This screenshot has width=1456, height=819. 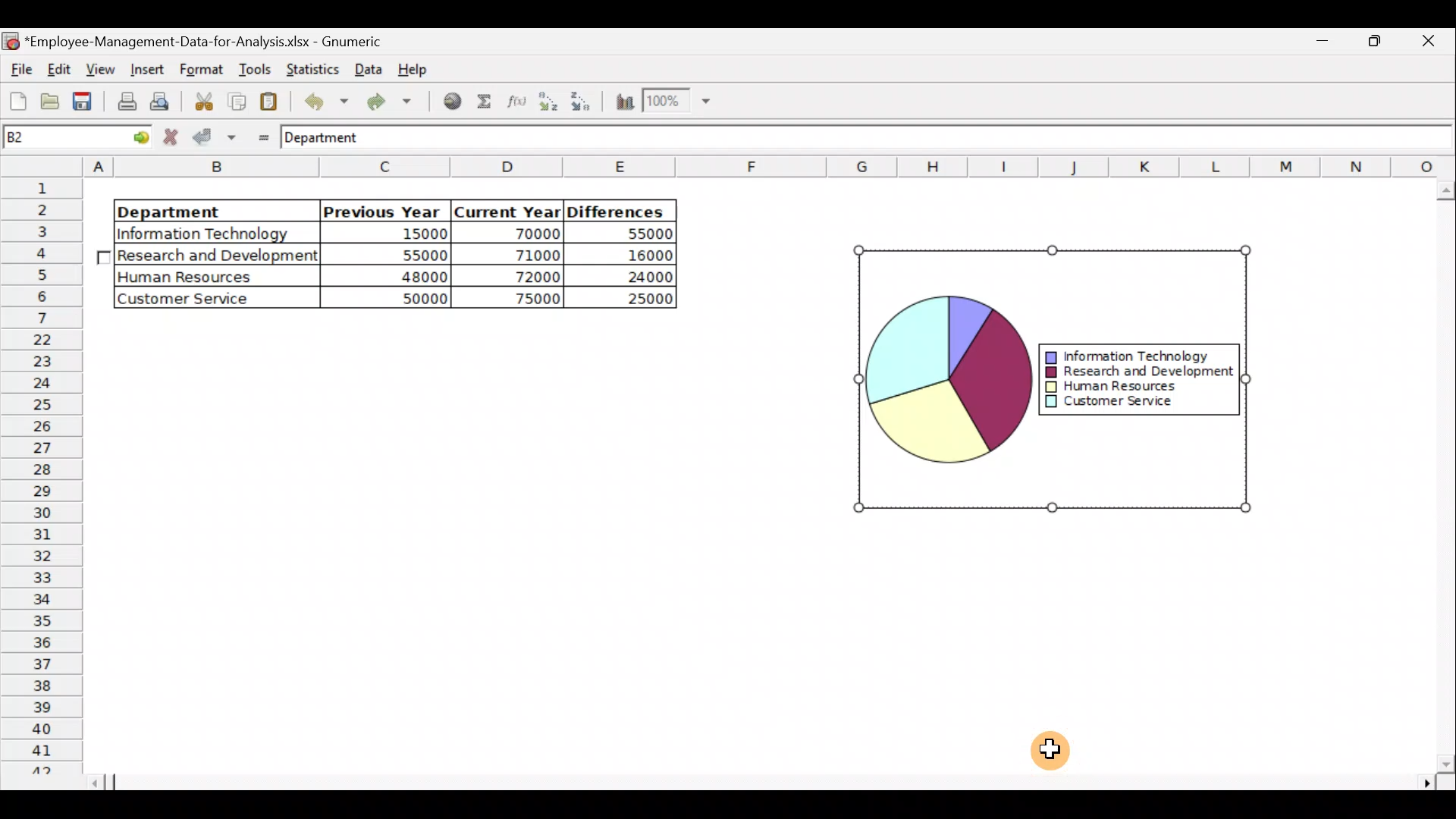 What do you see at coordinates (49, 104) in the screenshot?
I see `Open a file` at bounding box center [49, 104].